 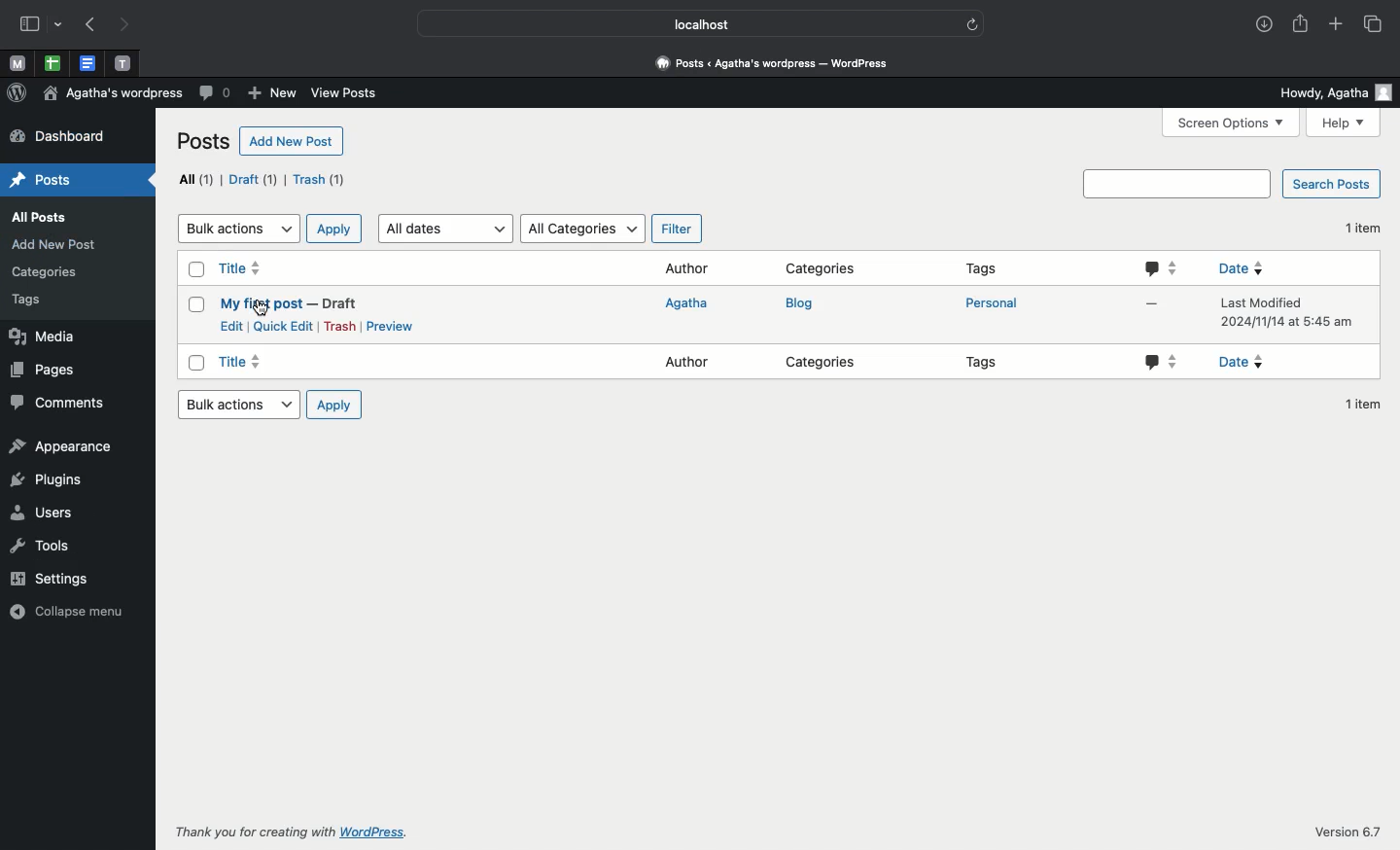 What do you see at coordinates (17, 93) in the screenshot?
I see `Wordpress` at bounding box center [17, 93].